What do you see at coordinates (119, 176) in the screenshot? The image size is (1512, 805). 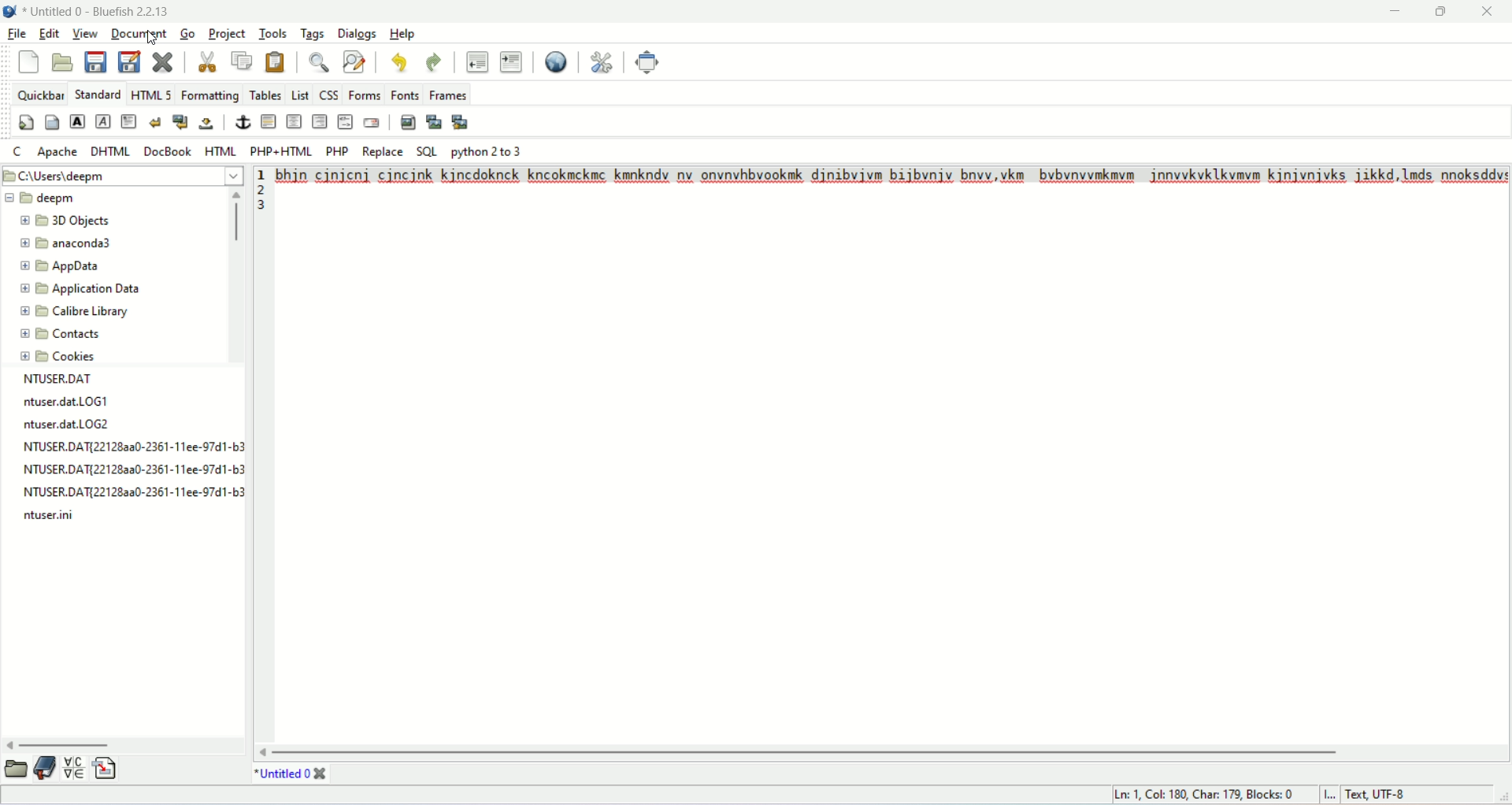 I see `location` at bounding box center [119, 176].